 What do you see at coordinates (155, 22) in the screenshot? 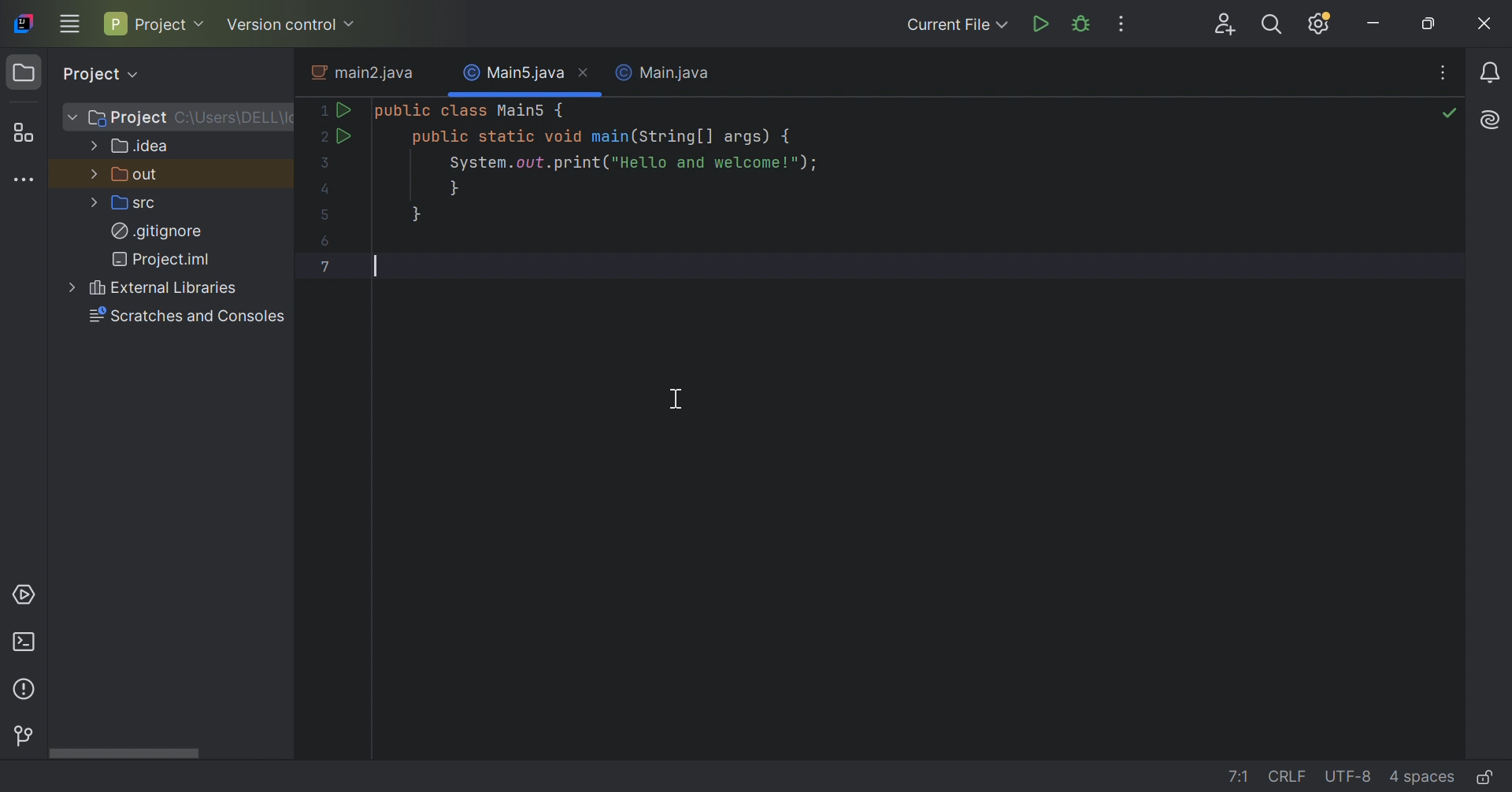
I see `Project` at bounding box center [155, 22].